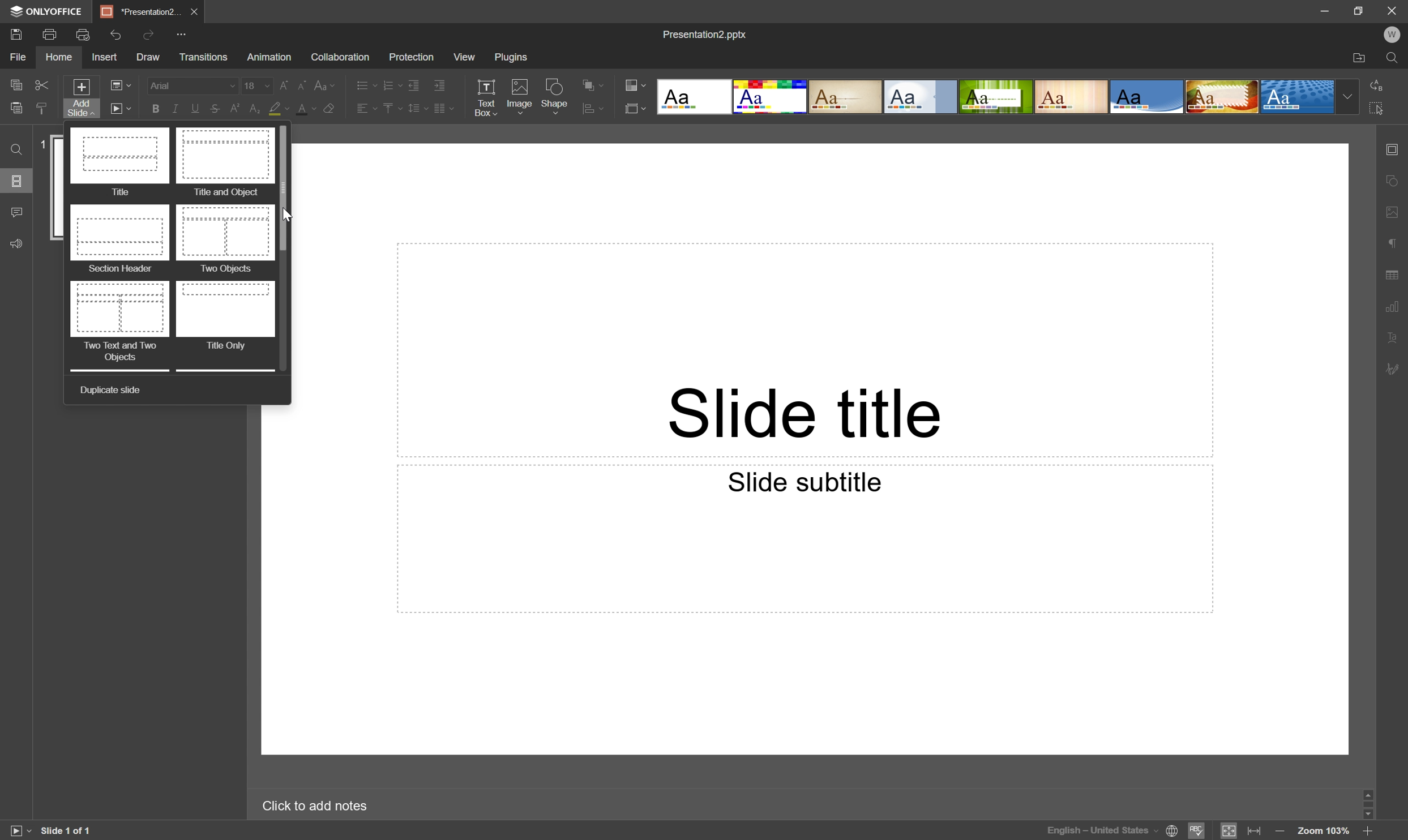  Describe the element at coordinates (996, 96) in the screenshot. I see `Type of slides` at that location.